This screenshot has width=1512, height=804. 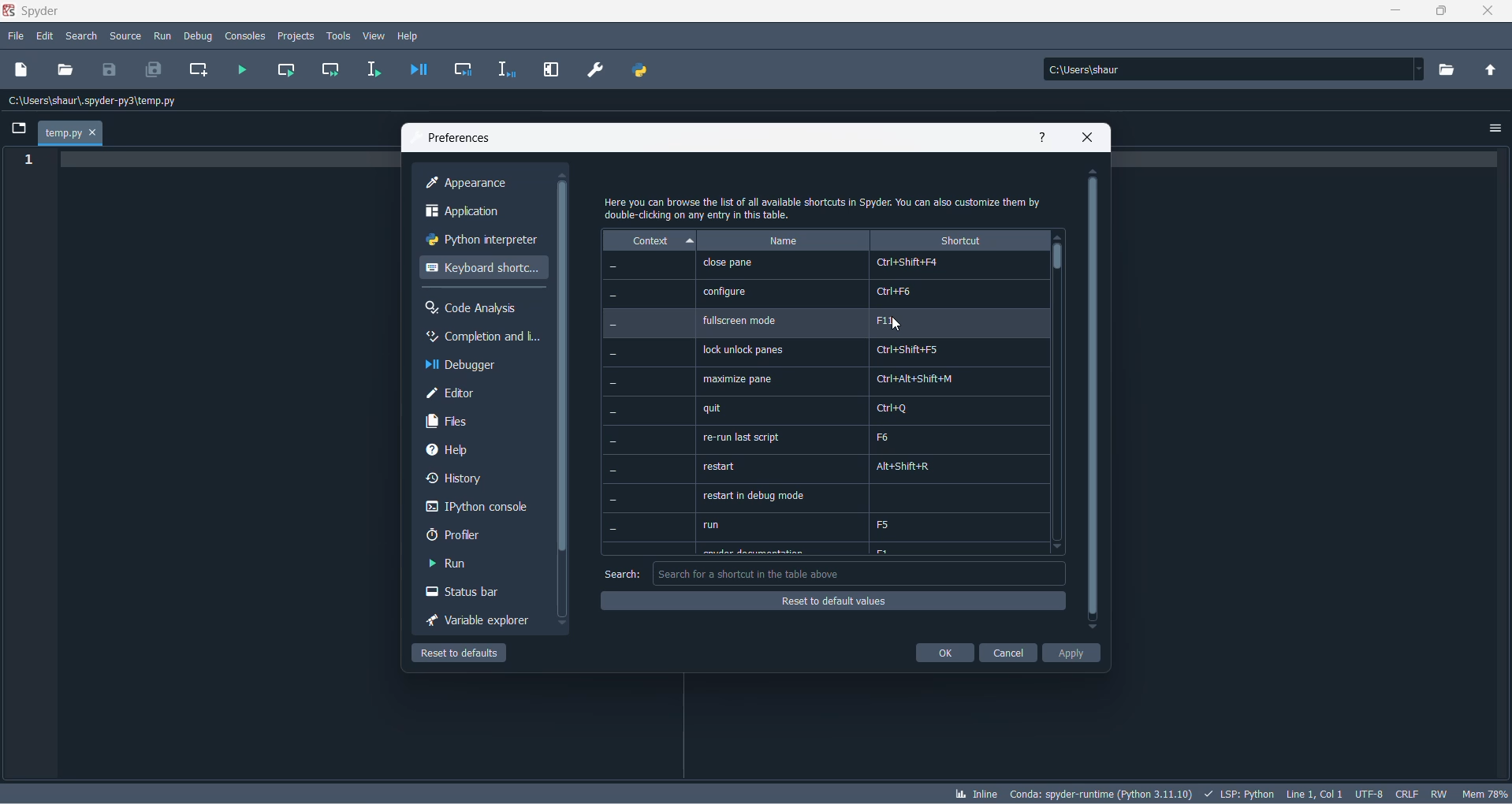 I want to click on PYTHON PATH MANAGER, so click(x=639, y=68).